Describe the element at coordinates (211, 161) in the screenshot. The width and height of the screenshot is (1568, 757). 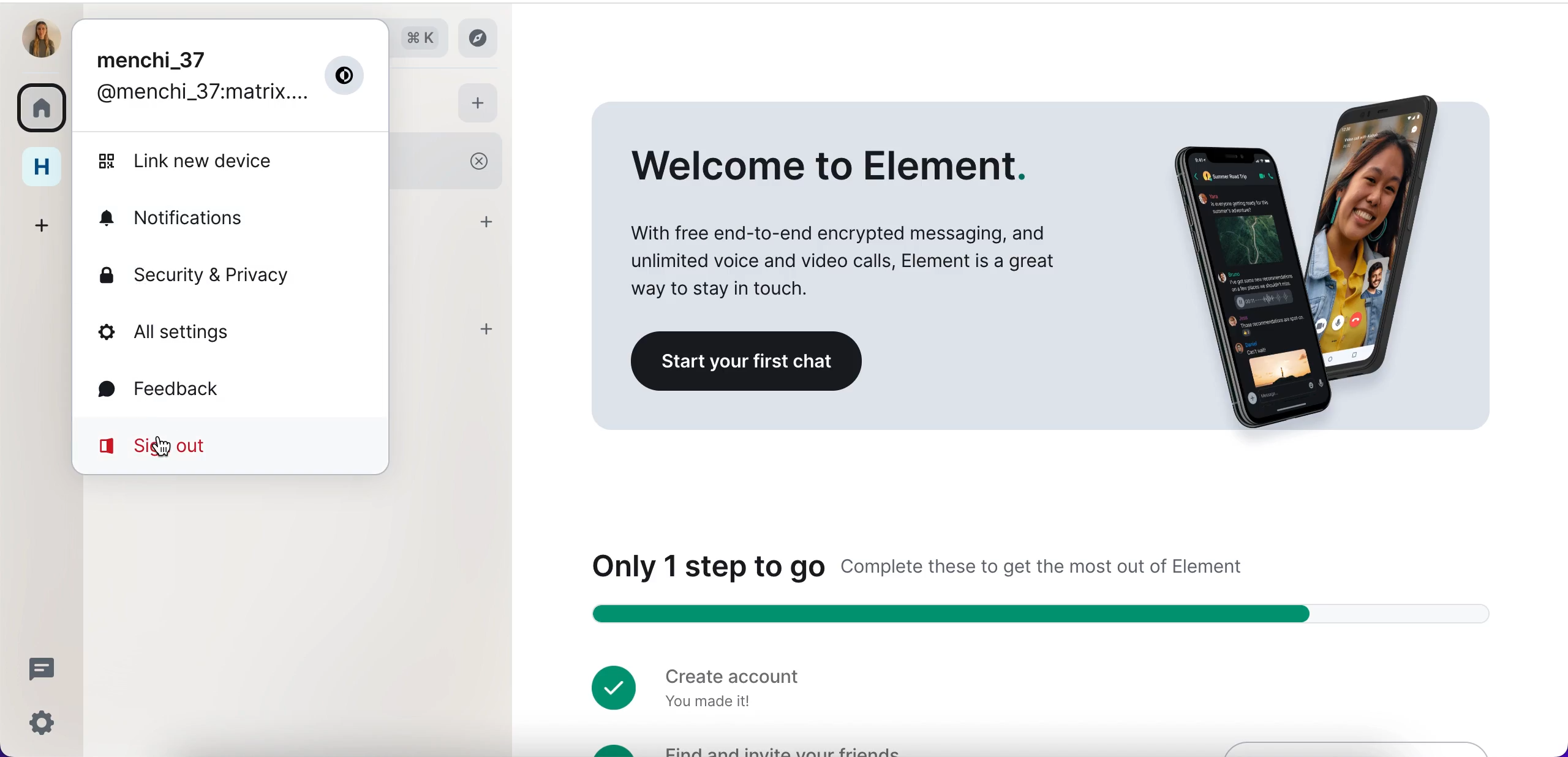
I see `link new device` at that location.